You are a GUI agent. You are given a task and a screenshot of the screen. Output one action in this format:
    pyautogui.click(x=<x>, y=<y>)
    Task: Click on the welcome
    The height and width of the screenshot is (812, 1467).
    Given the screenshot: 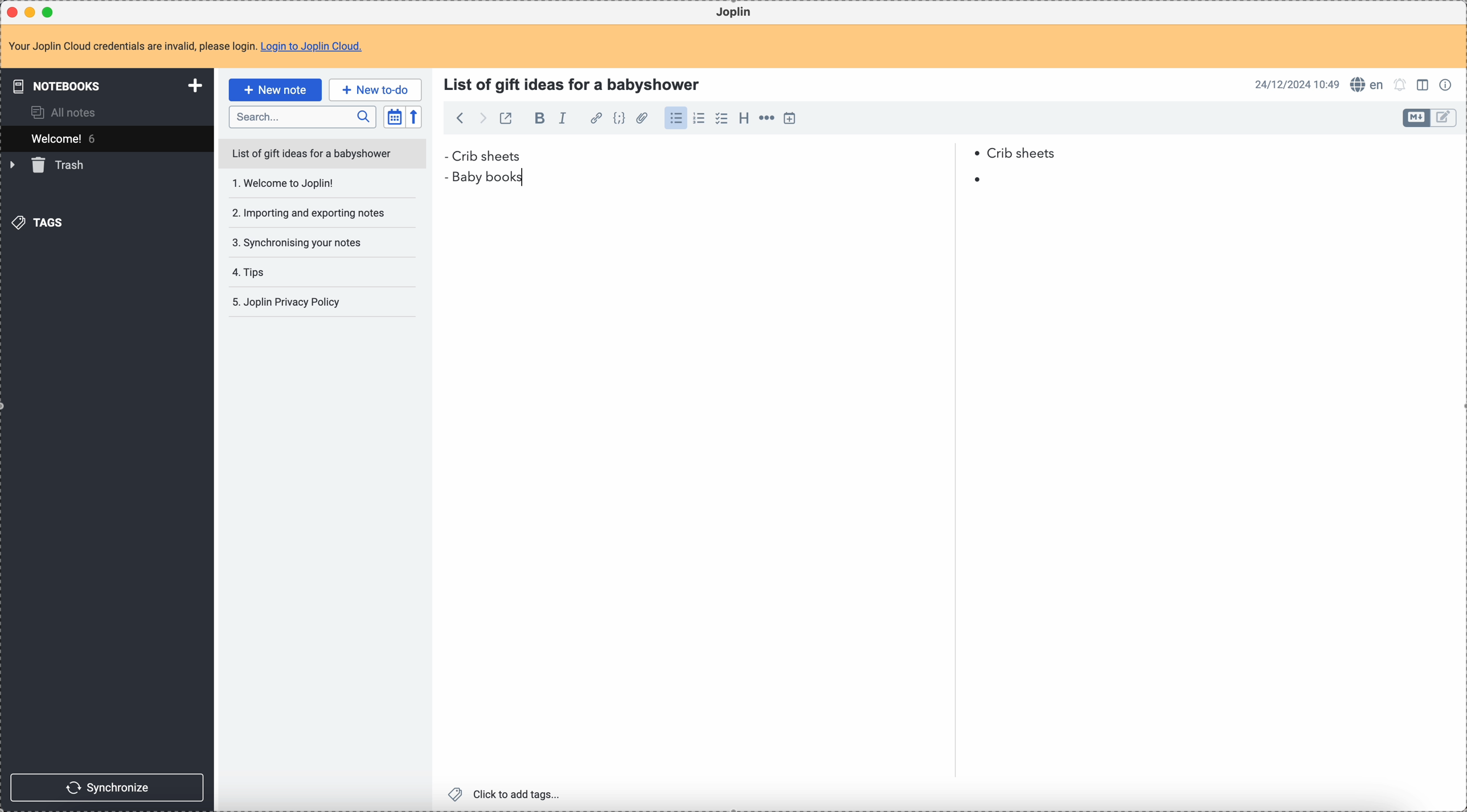 What is the action you would take?
    pyautogui.click(x=106, y=138)
    